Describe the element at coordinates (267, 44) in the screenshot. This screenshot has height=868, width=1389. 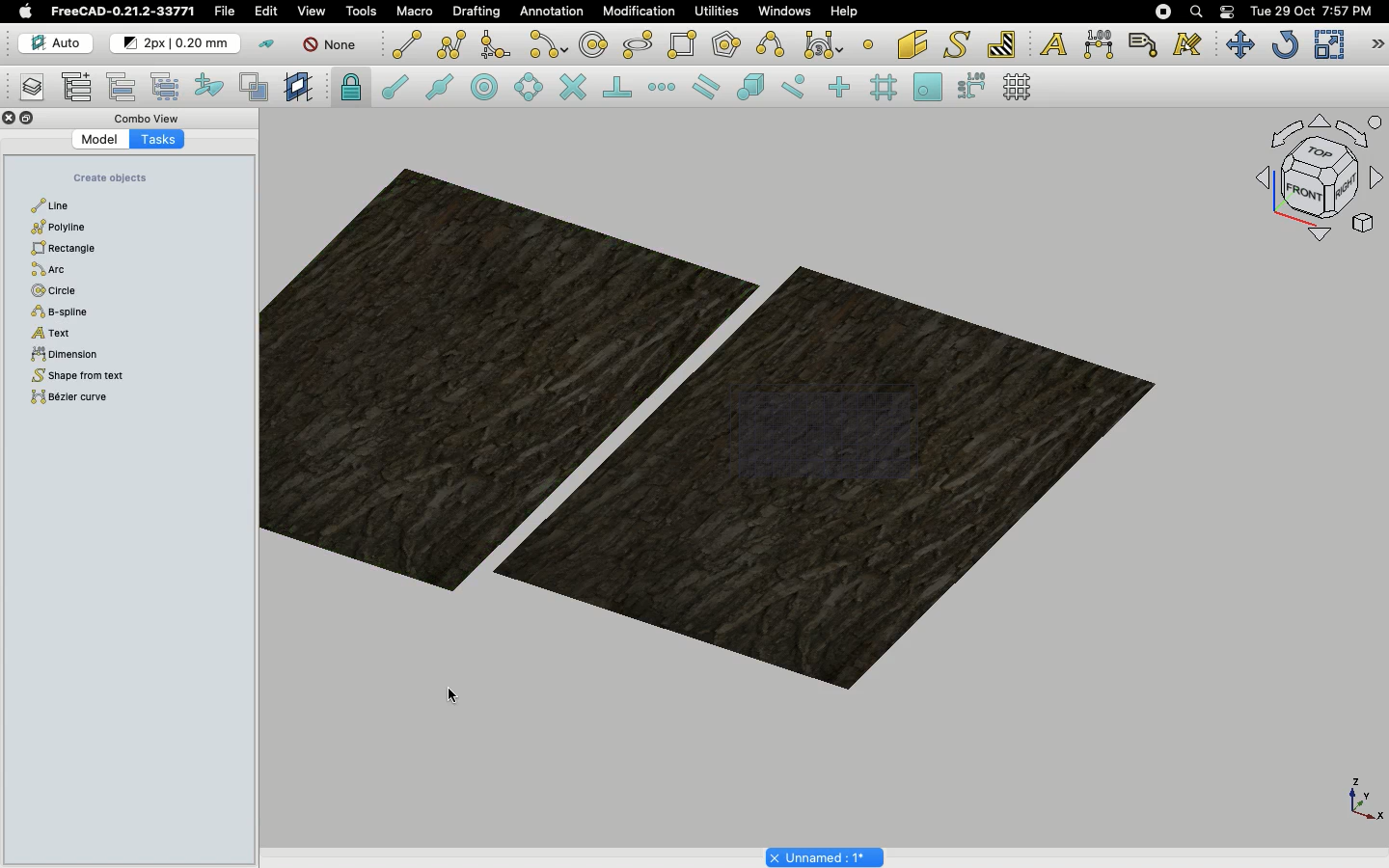
I see `Toggle construction mode` at that location.